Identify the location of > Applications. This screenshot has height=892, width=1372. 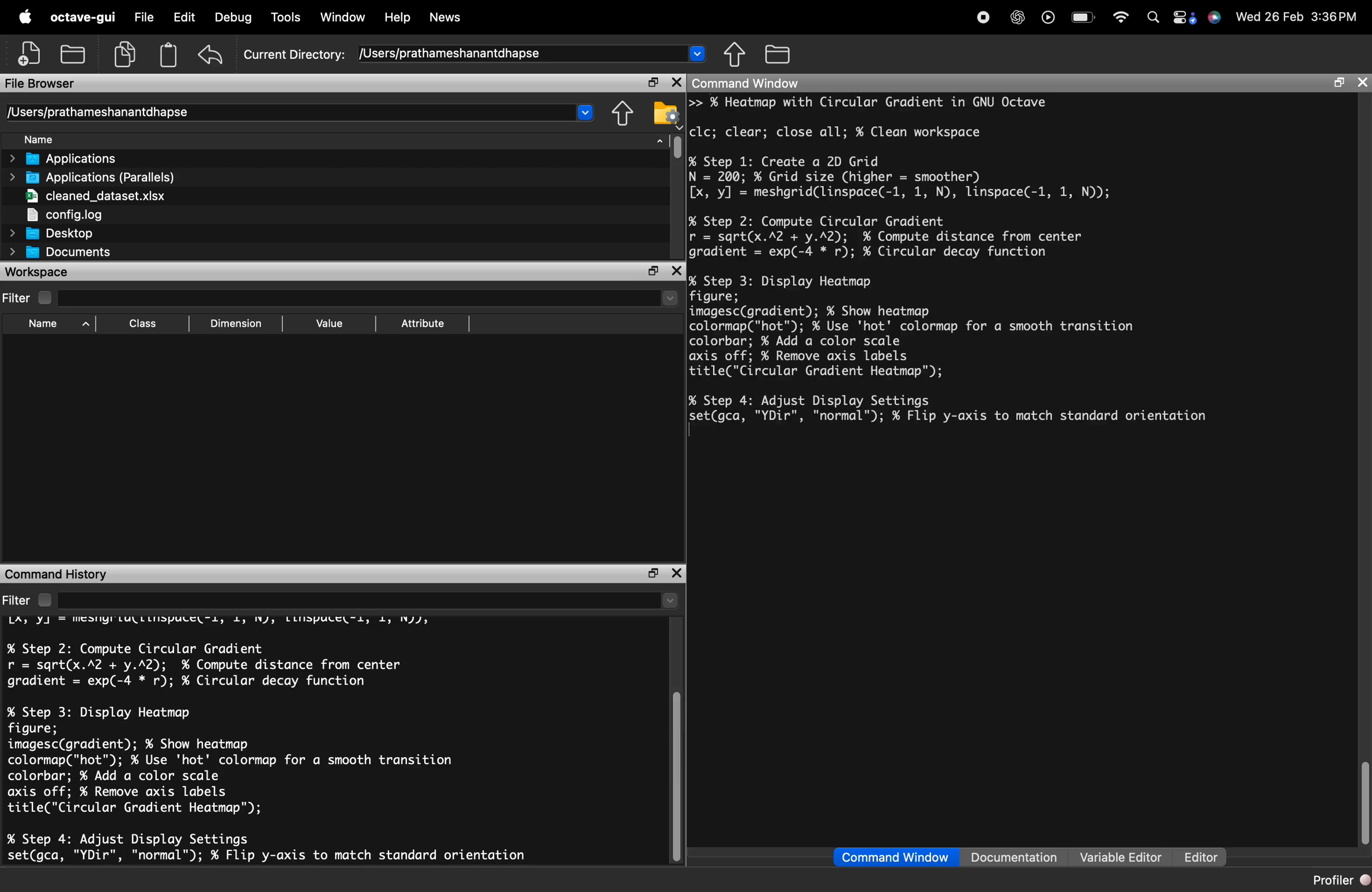
(84, 158).